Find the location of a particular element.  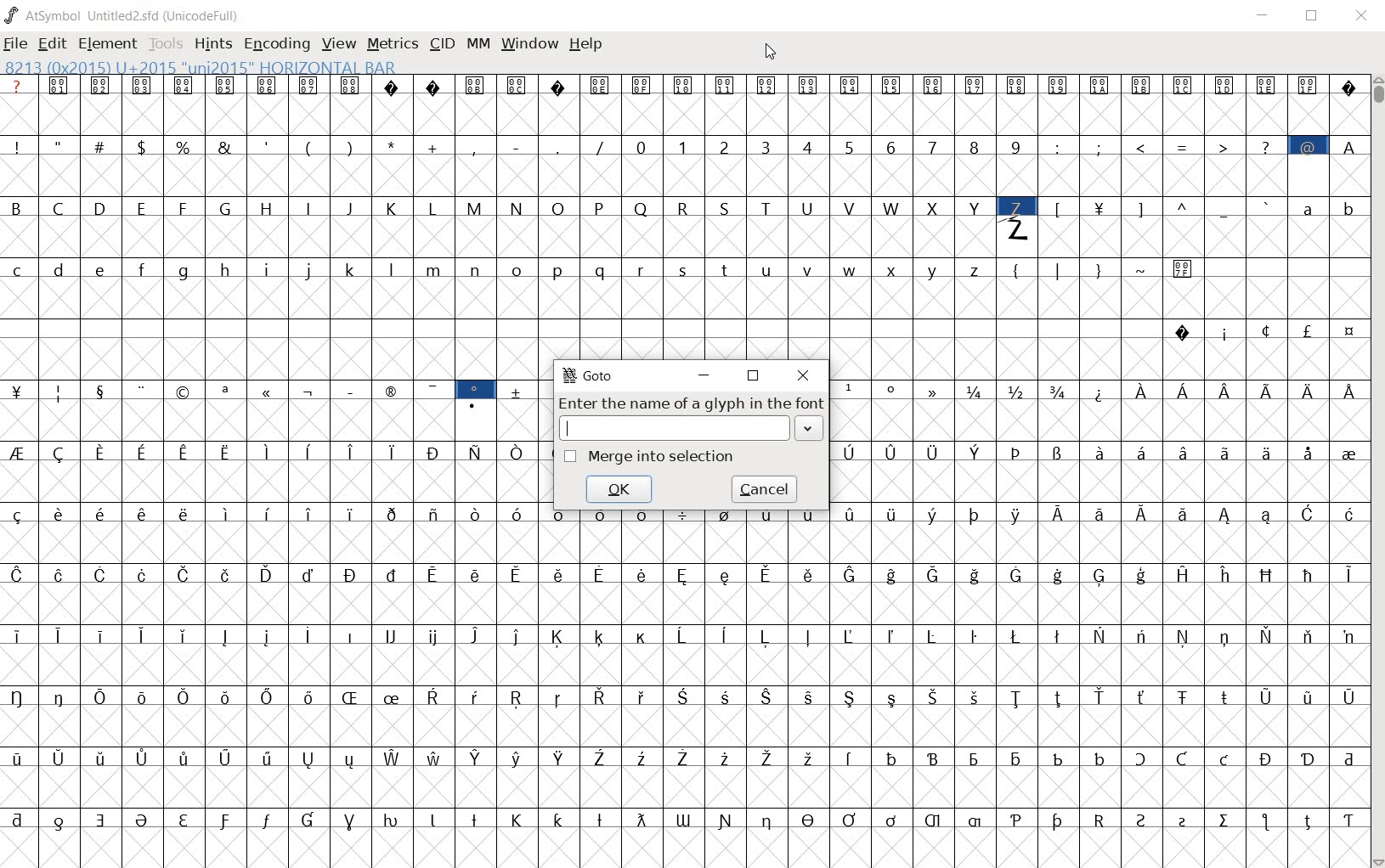

CLOSE is located at coordinates (802, 376).